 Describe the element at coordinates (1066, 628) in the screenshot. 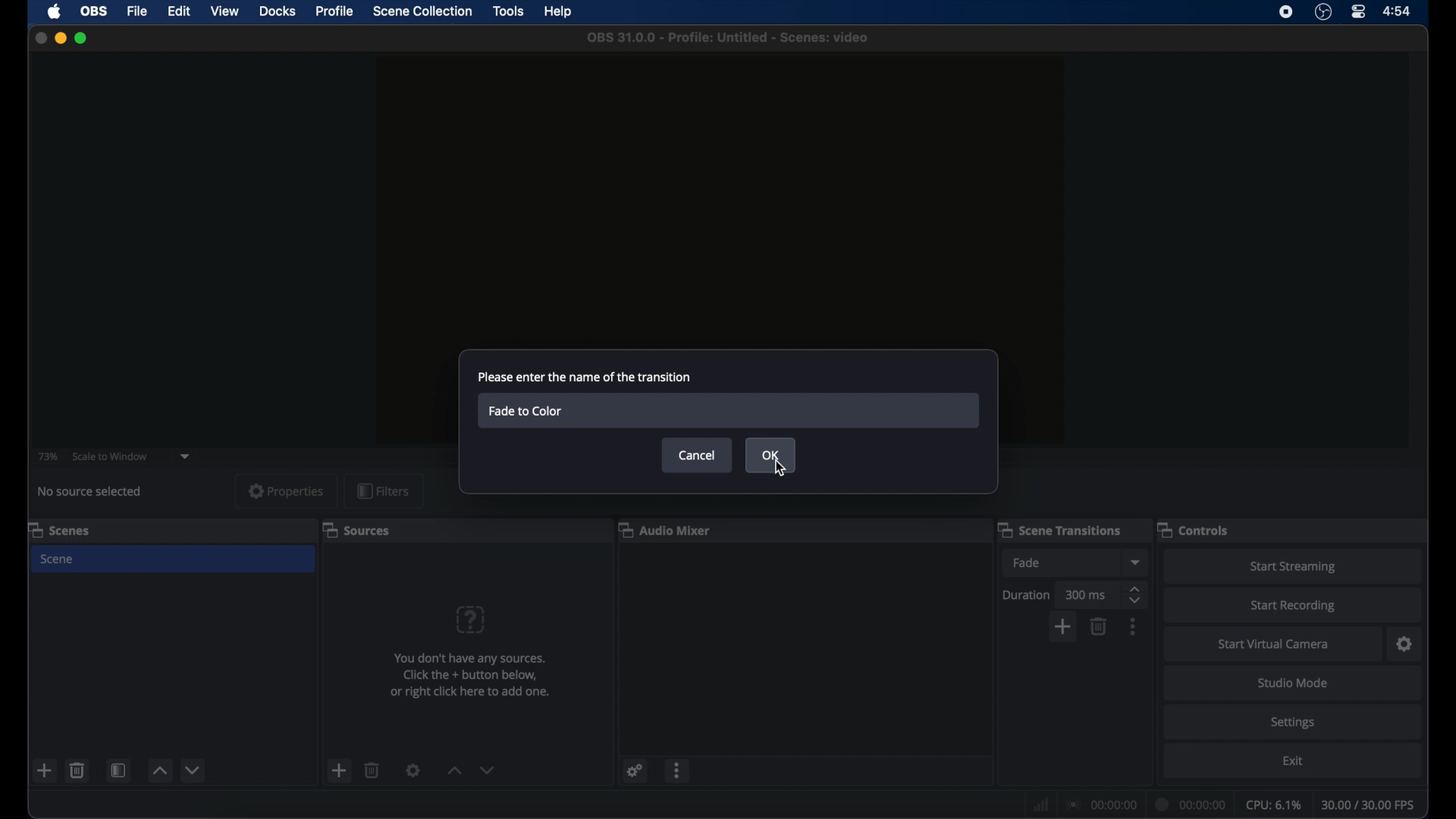

I see `add` at that location.